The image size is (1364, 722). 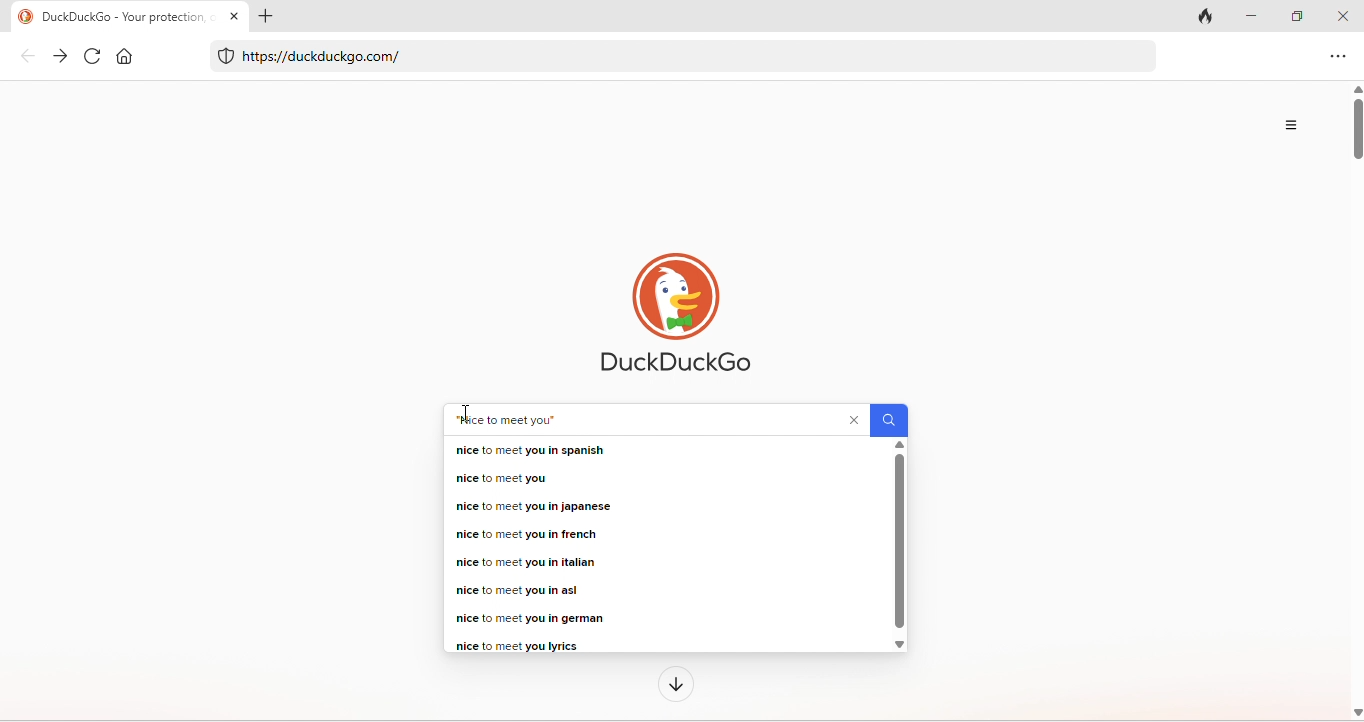 What do you see at coordinates (677, 684) in the screenshot?
I see `down arrow` at bounding box center [677, 684].